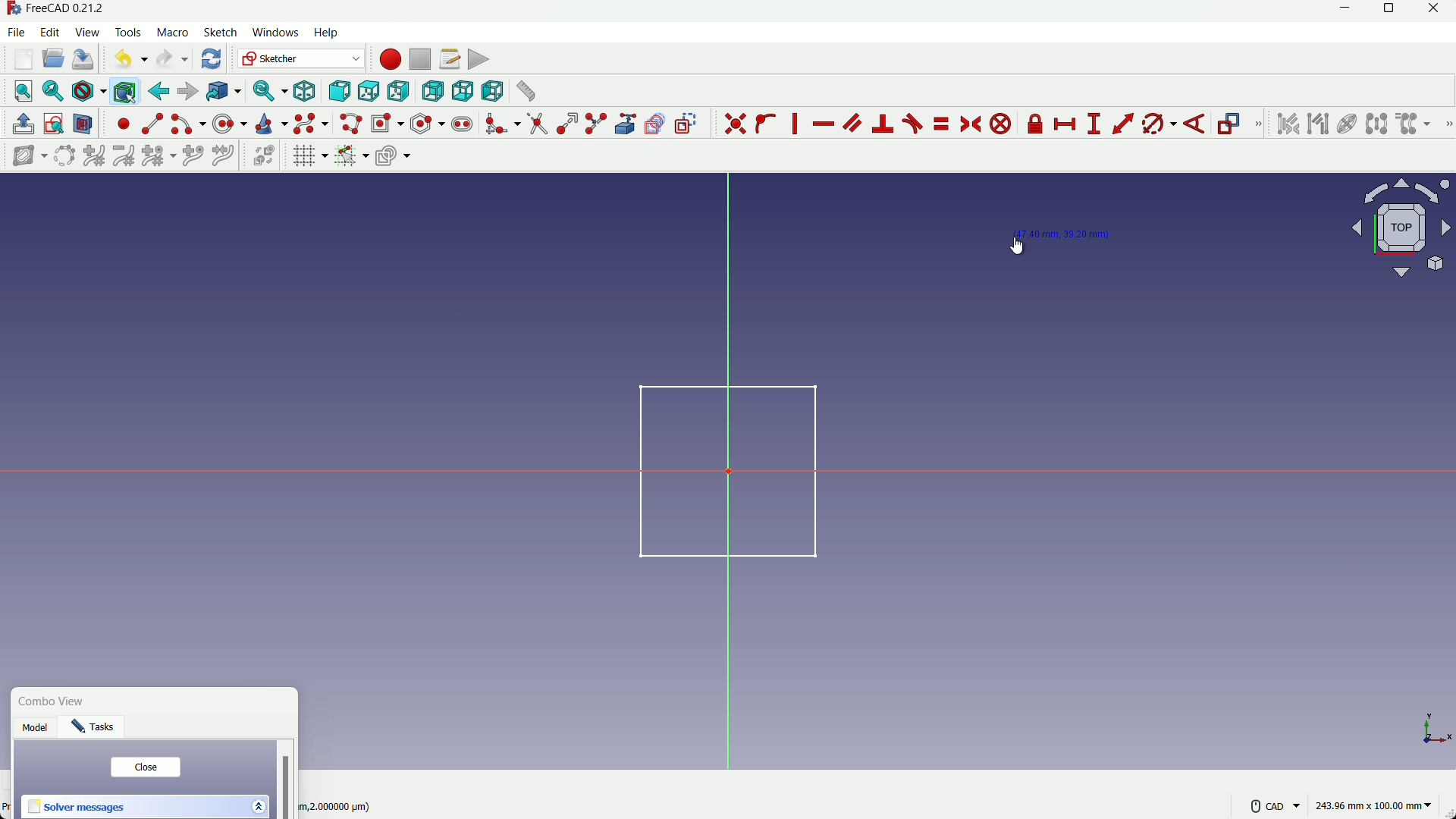  I want to click on create arc, so click(188, 124).